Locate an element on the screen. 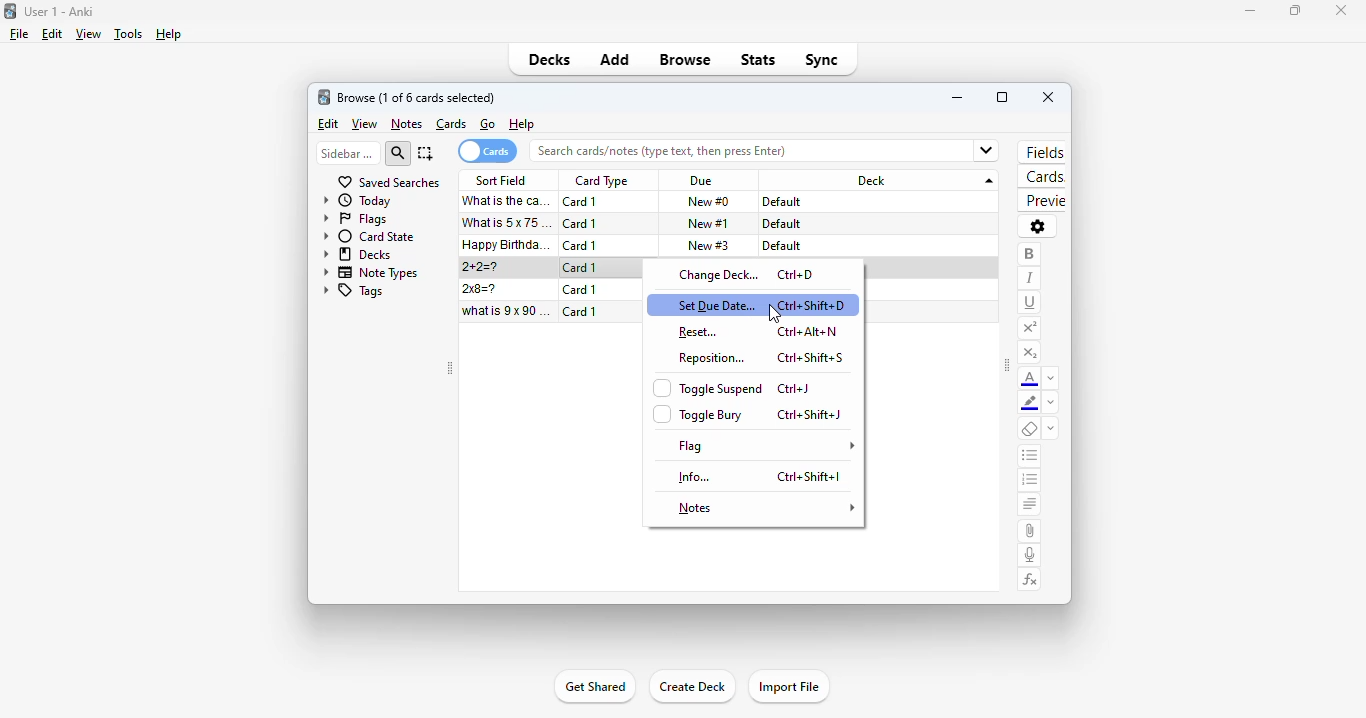 The width and height of the screenshot is (1366, 718). change deck is located at coordinates (719, 274).